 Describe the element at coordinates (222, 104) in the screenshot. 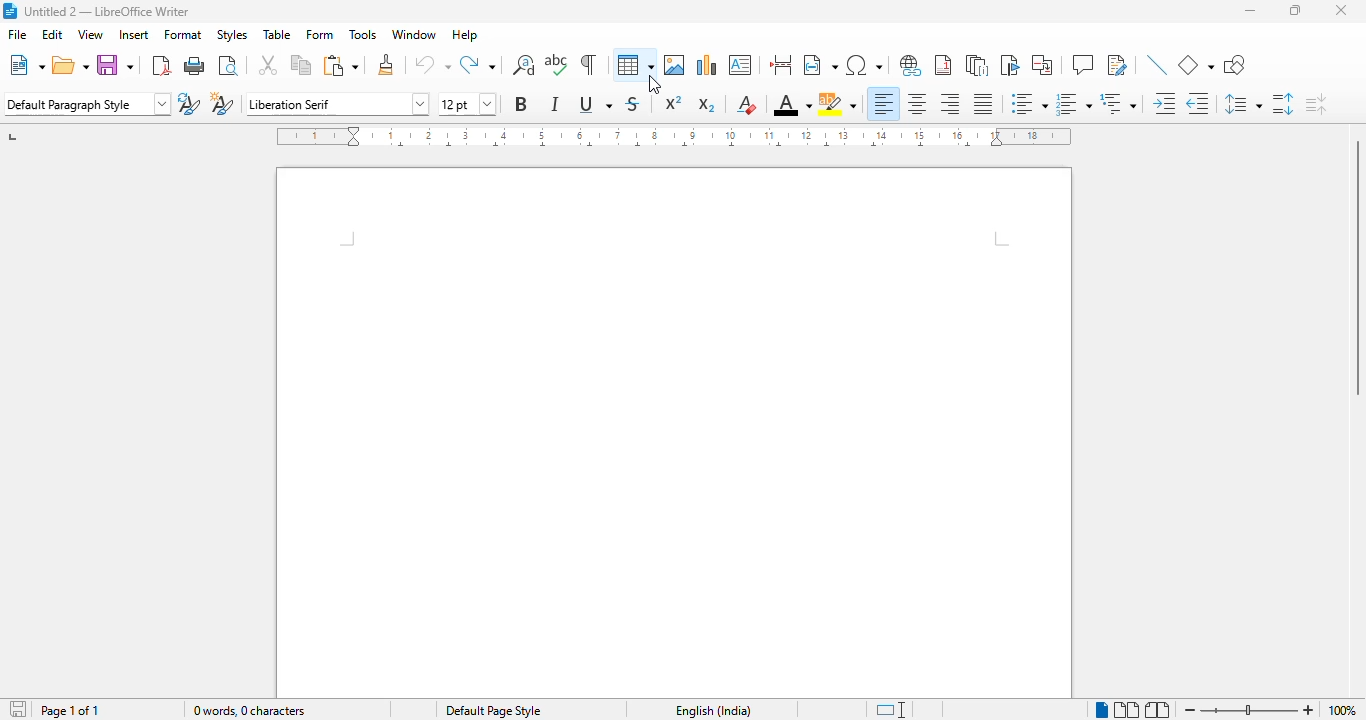

I see `new style from selection` at that location.